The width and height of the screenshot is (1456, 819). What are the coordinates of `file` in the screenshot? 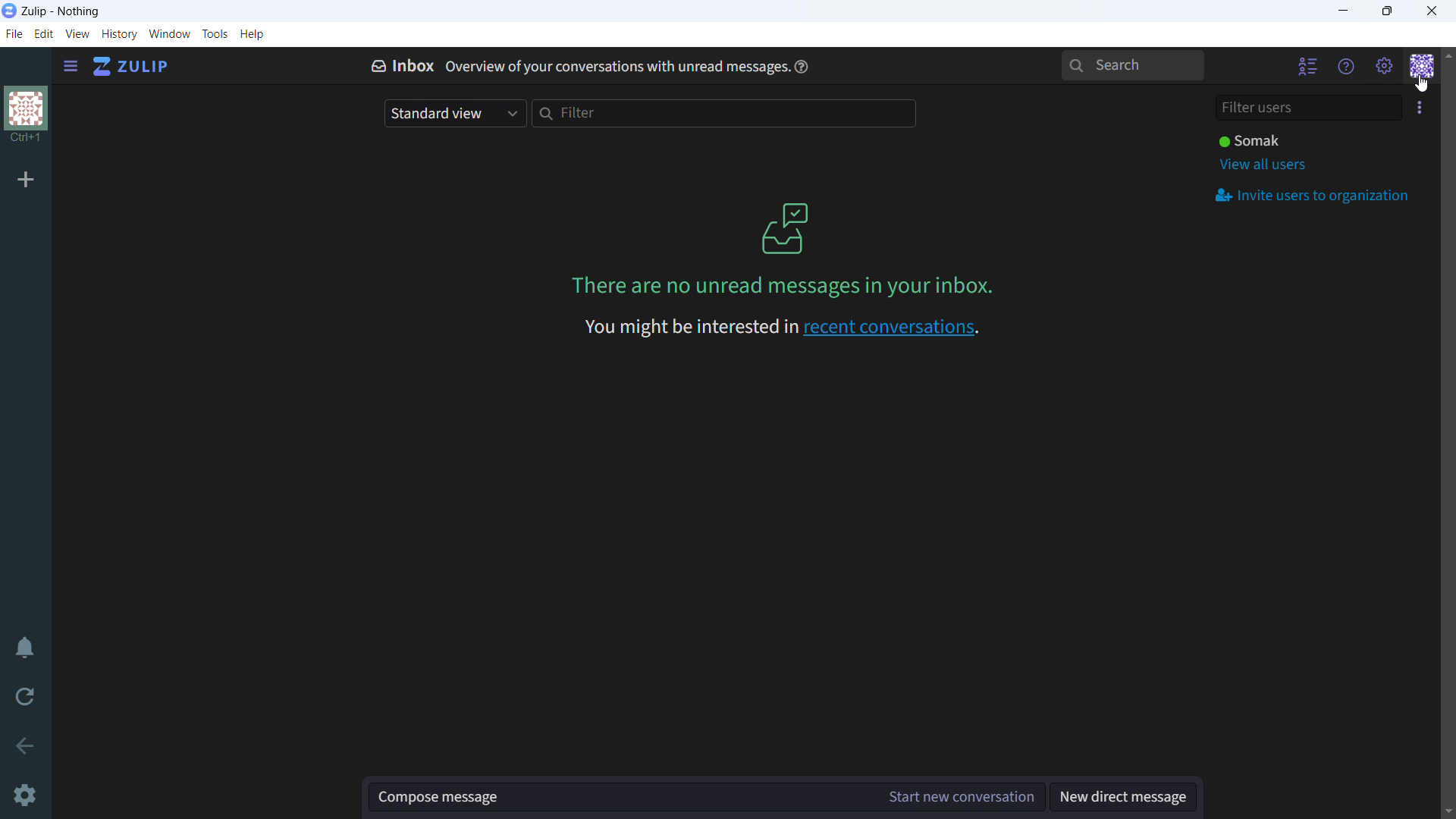 It's located at (13, 33).